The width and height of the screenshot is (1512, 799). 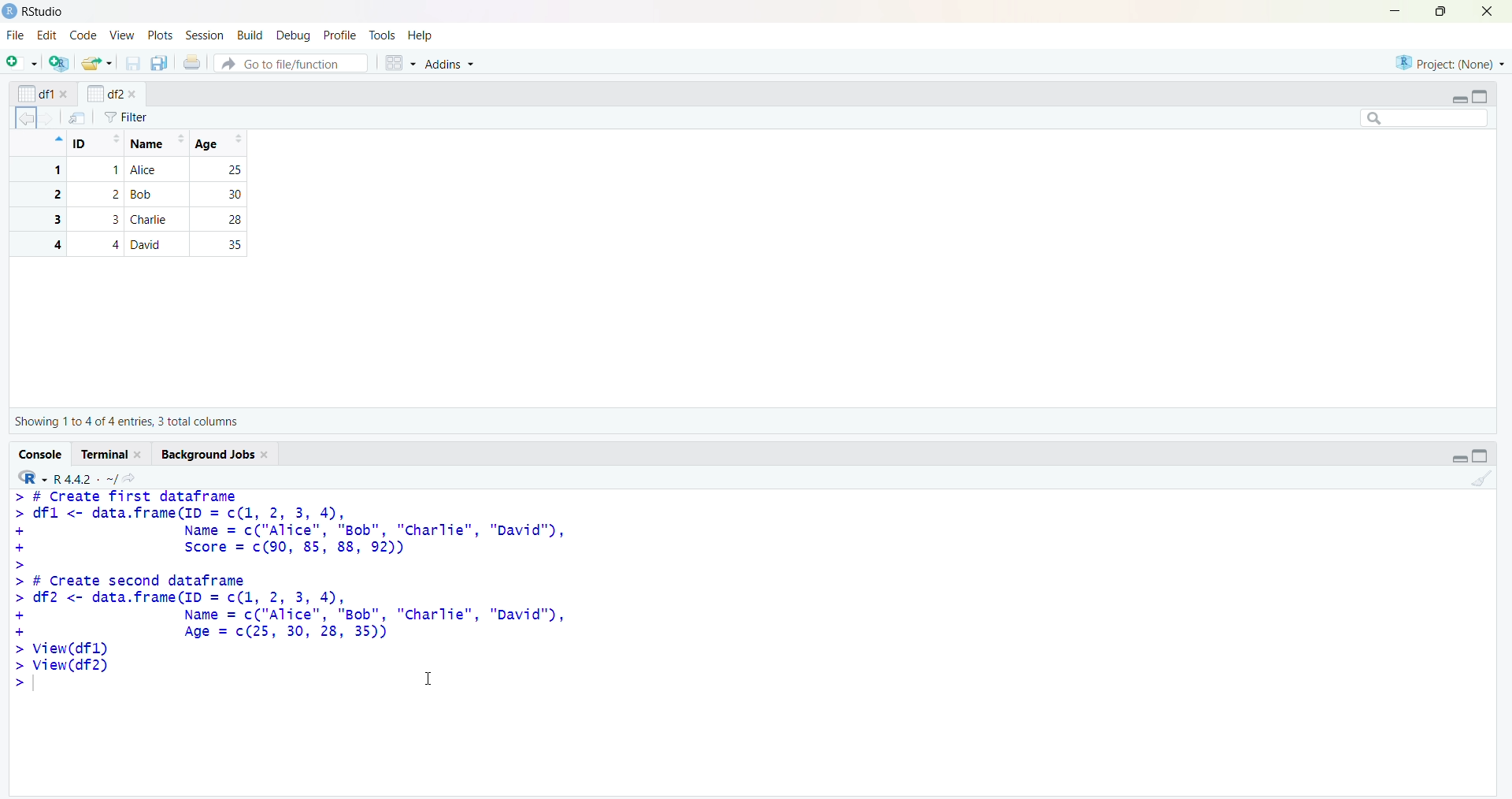 I want to click on icon, so click(x=57, y=139).